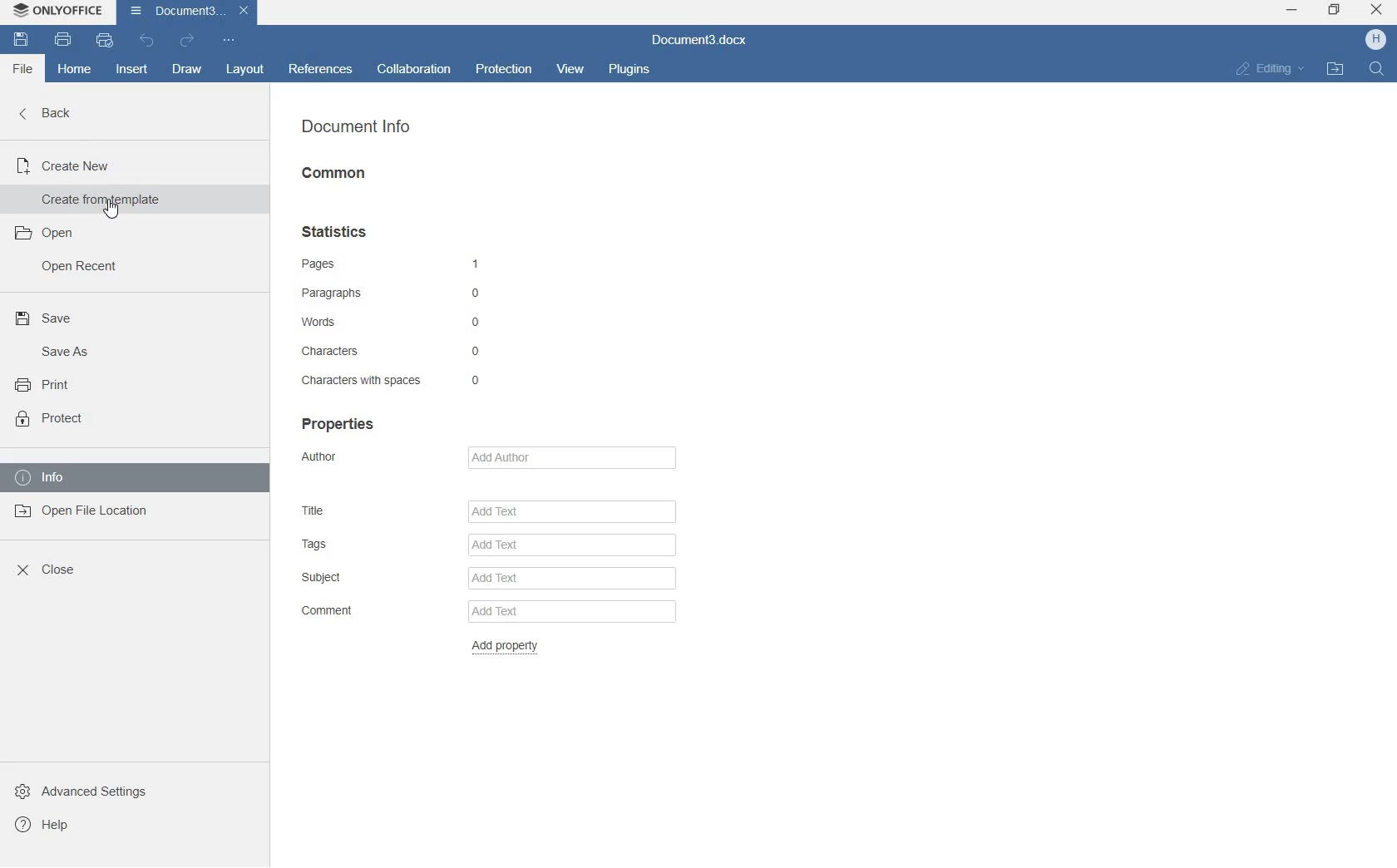  What do you see at coordinates (1382, 70) in the screenshot?
I see `search` at bounding box center [1382, 70].